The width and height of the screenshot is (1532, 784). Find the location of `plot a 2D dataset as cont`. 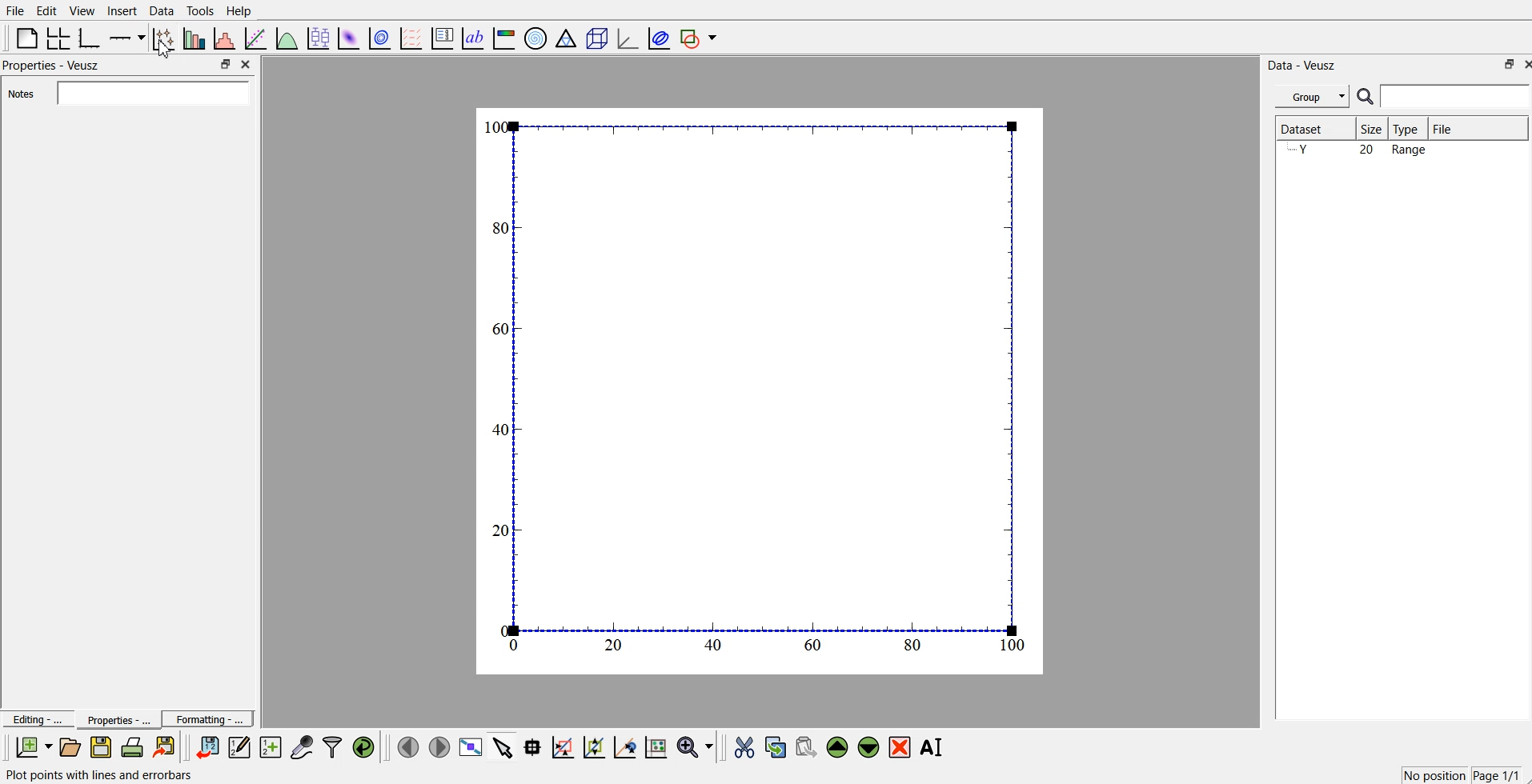

plot a 2D dataset as cont is located at coordinates (381, 38).